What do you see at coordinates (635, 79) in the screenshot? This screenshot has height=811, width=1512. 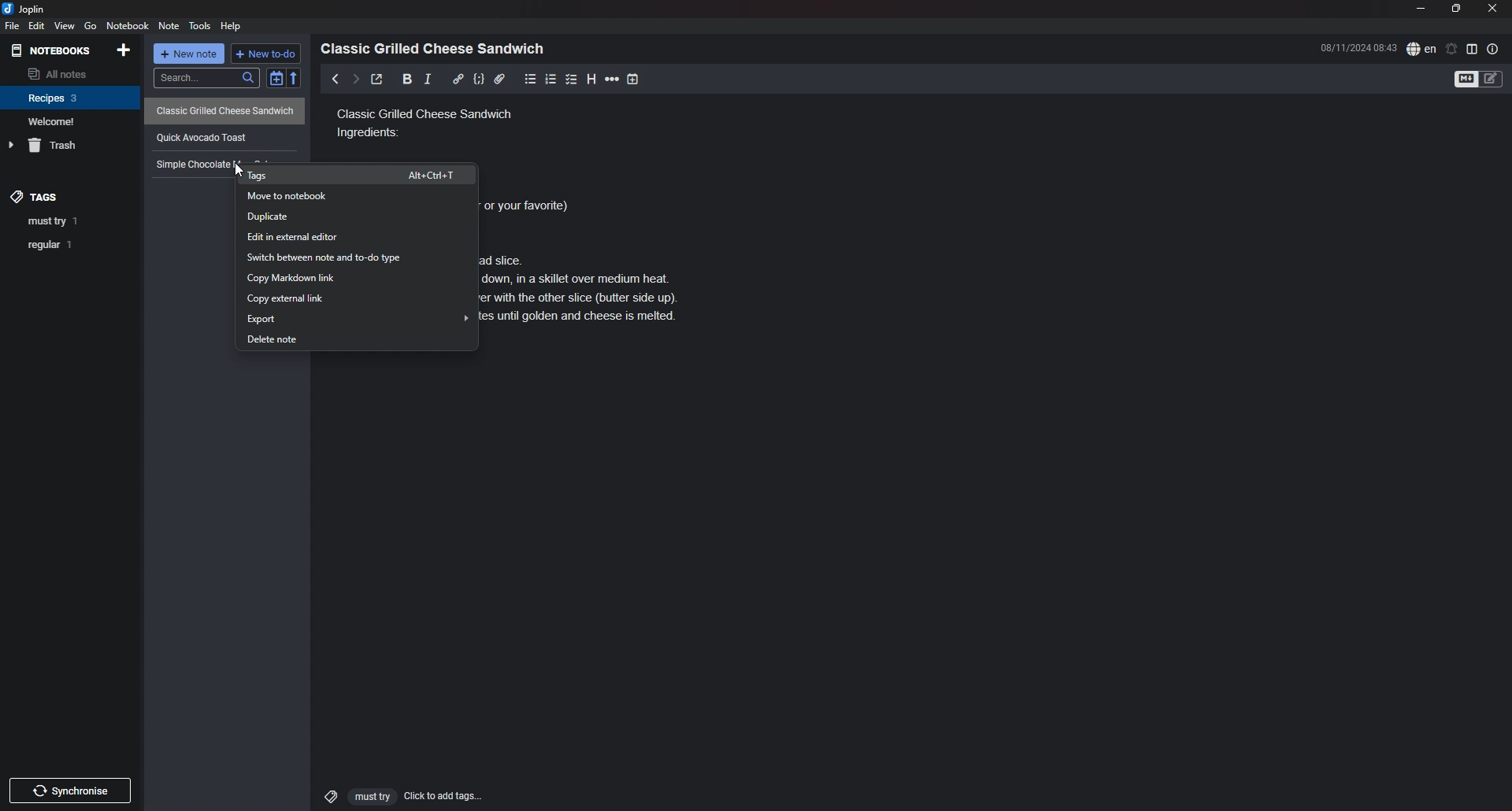 I see `add time` at bounding box center [635, 79].